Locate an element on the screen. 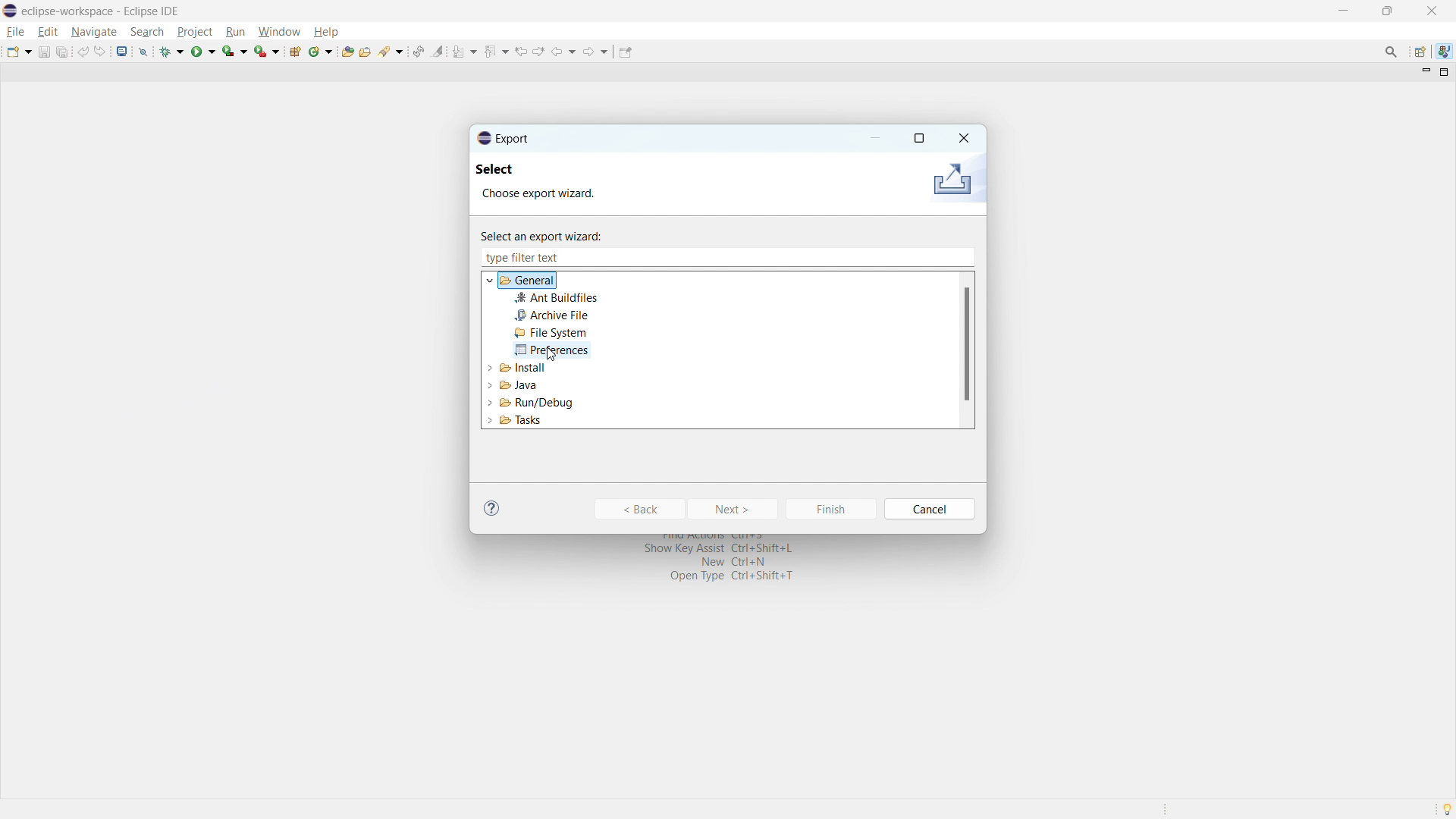 Image resolution: width=1456 pixels, height=819 pixels. expand team is located at coordinates (490, 366).